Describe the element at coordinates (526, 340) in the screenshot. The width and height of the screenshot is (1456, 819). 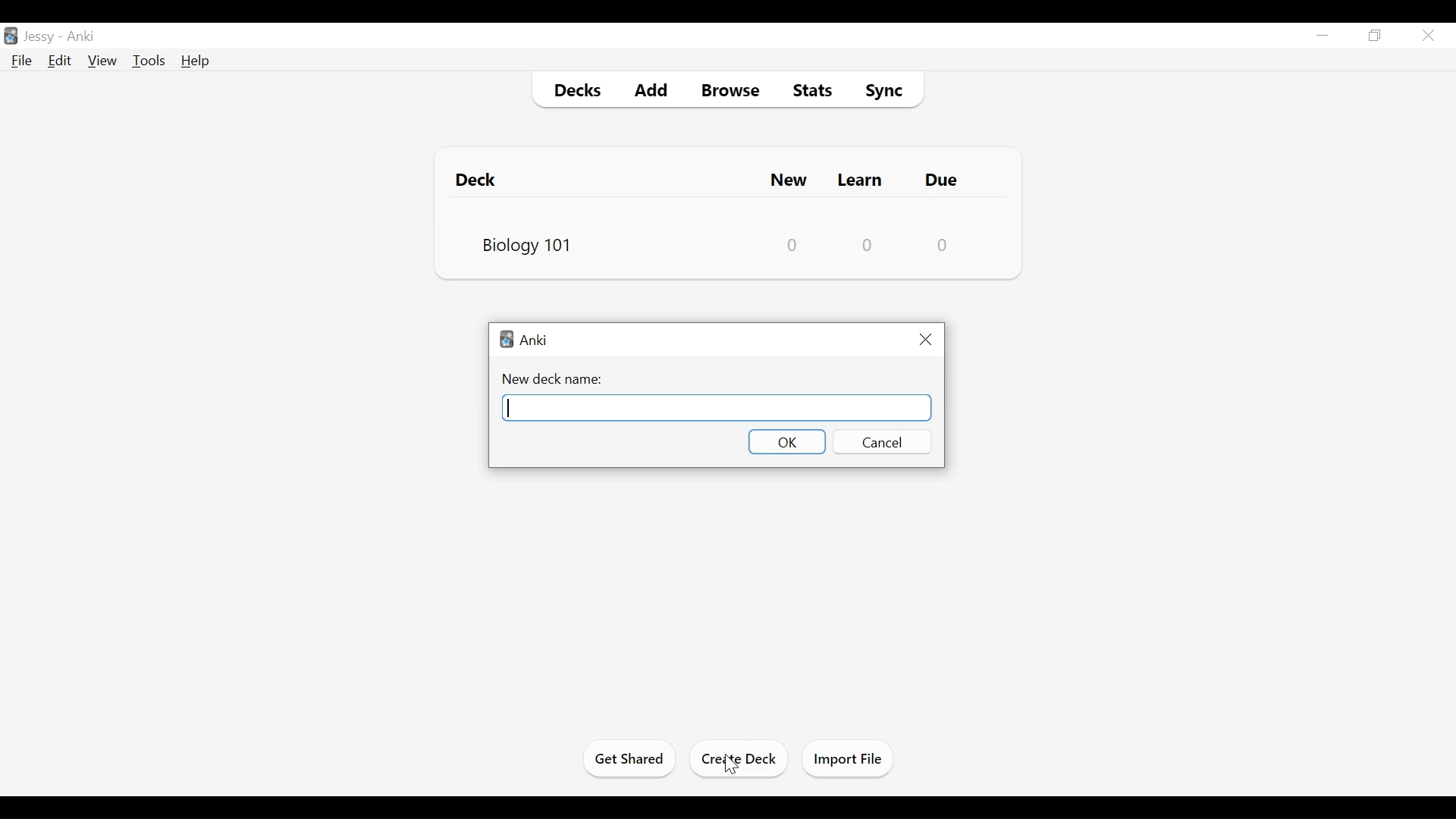
I see `Anki` at that location.